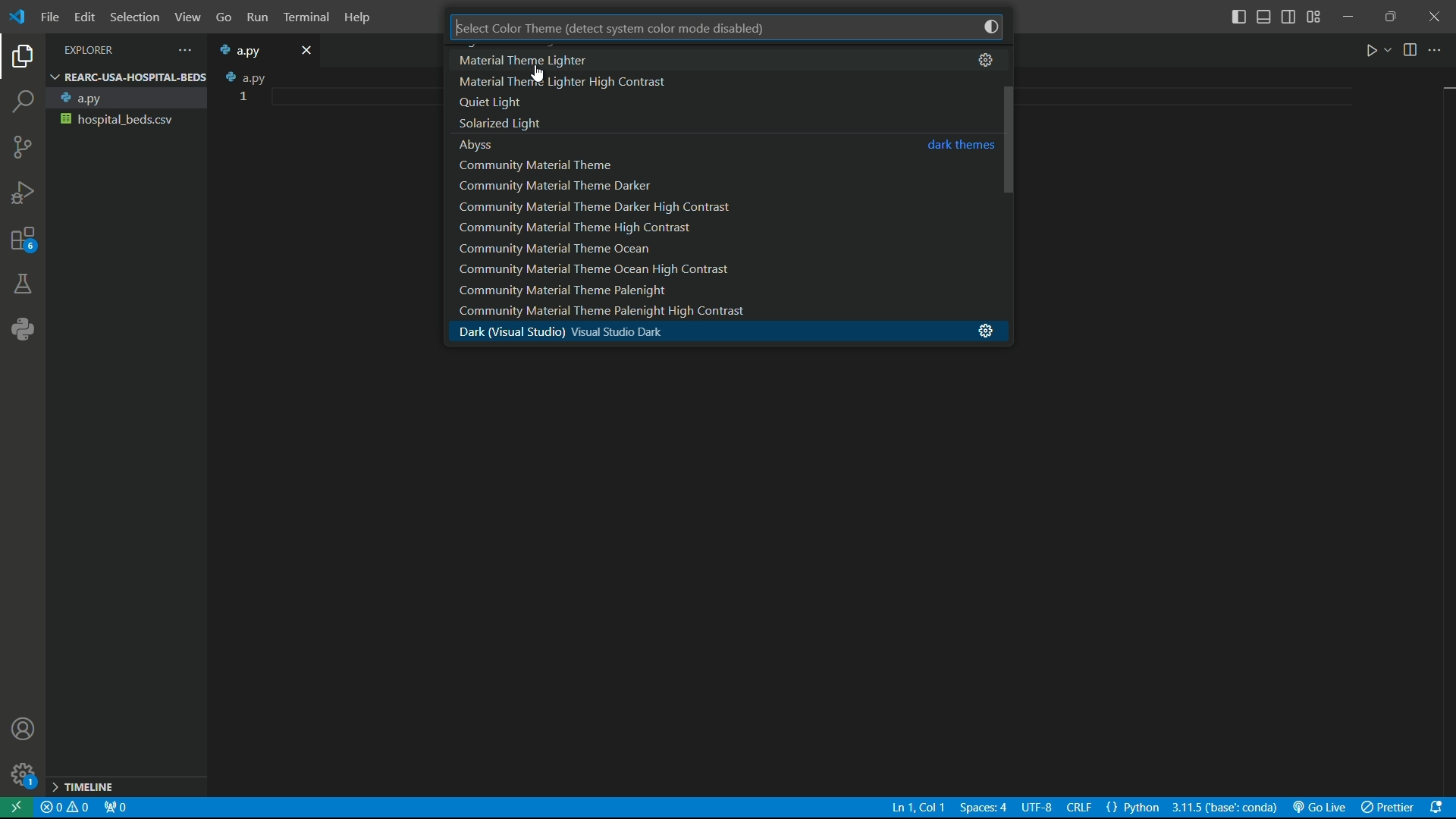  I want to click on 3.11.5 ('base':conda), so click(1225, 808).